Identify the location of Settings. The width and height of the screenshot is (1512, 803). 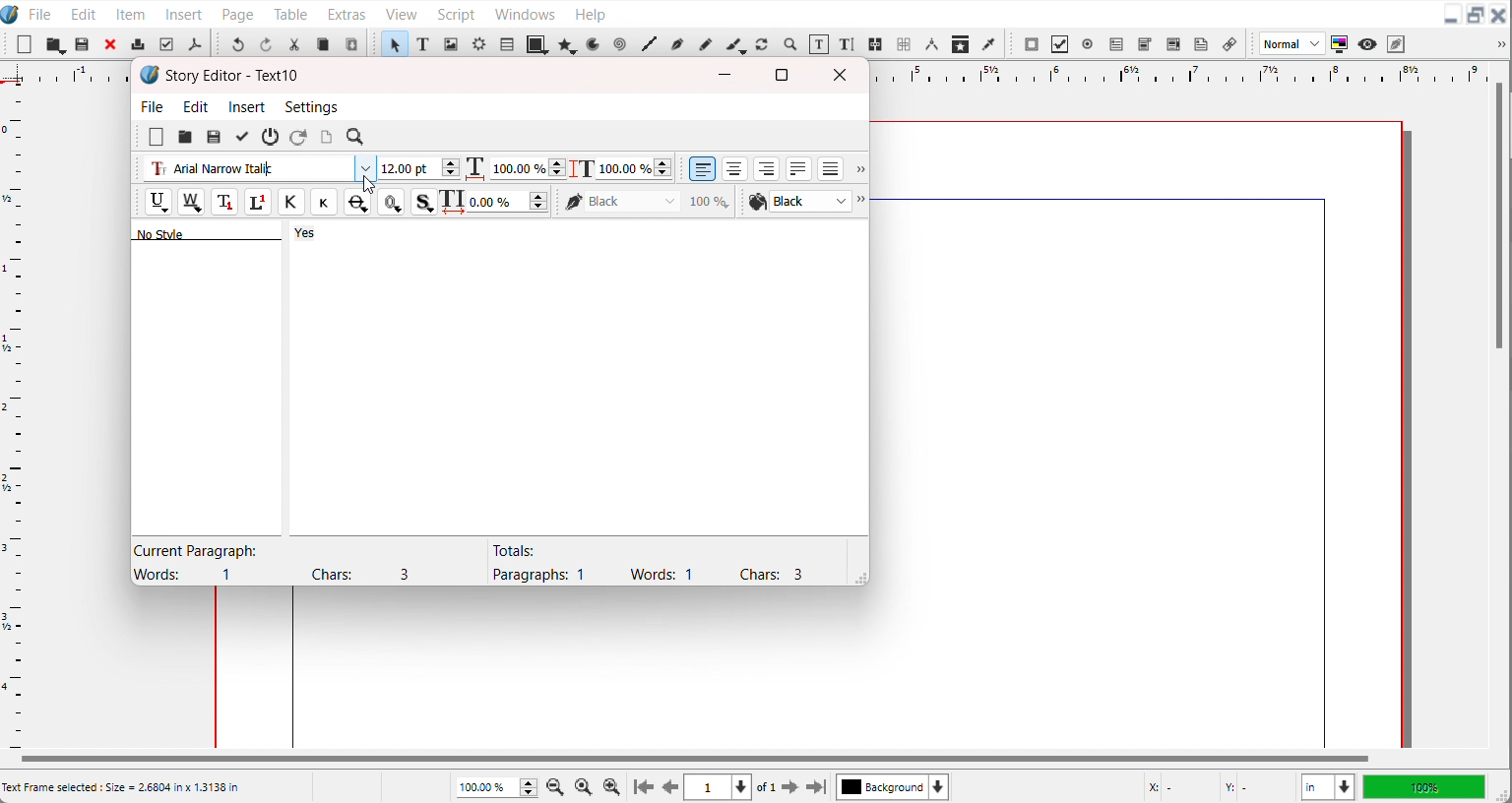
(311, 106).